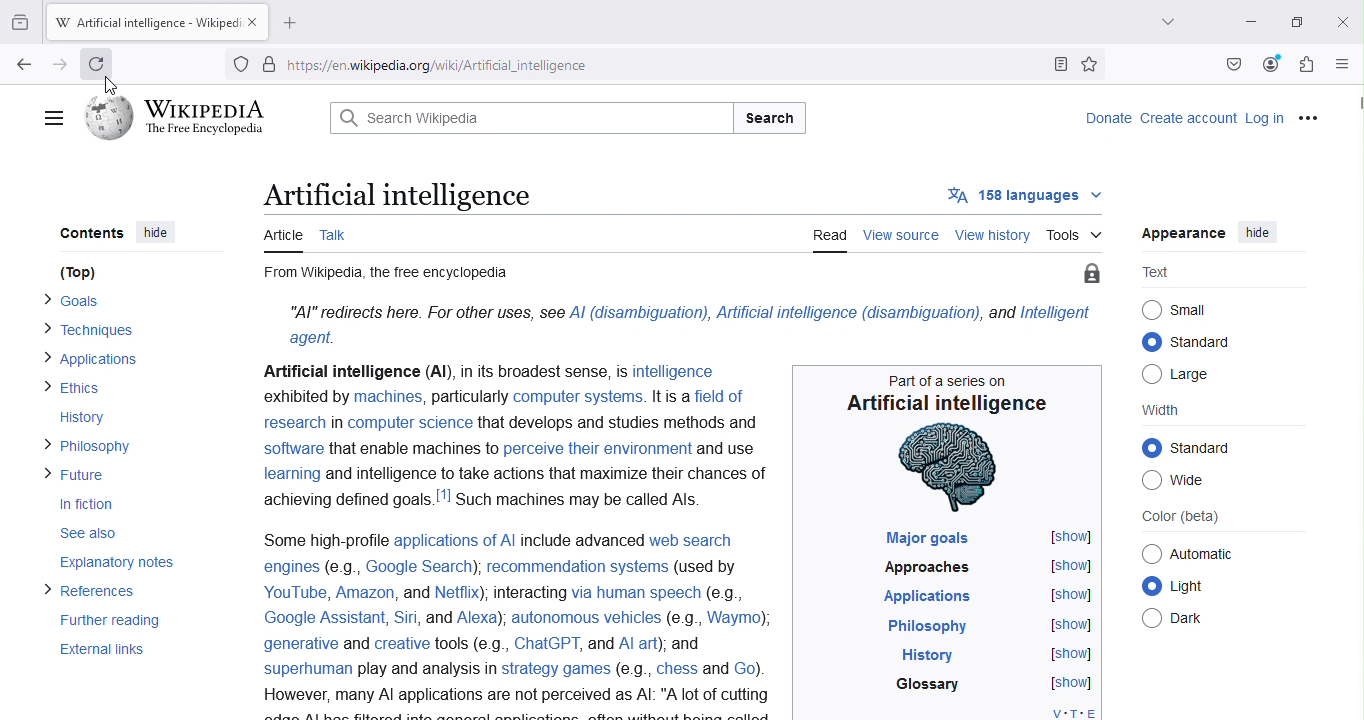  What do you see at coordinates (479, 619) in the screenshot?
I see `| Alexa)` at bounding box center [479, 619].